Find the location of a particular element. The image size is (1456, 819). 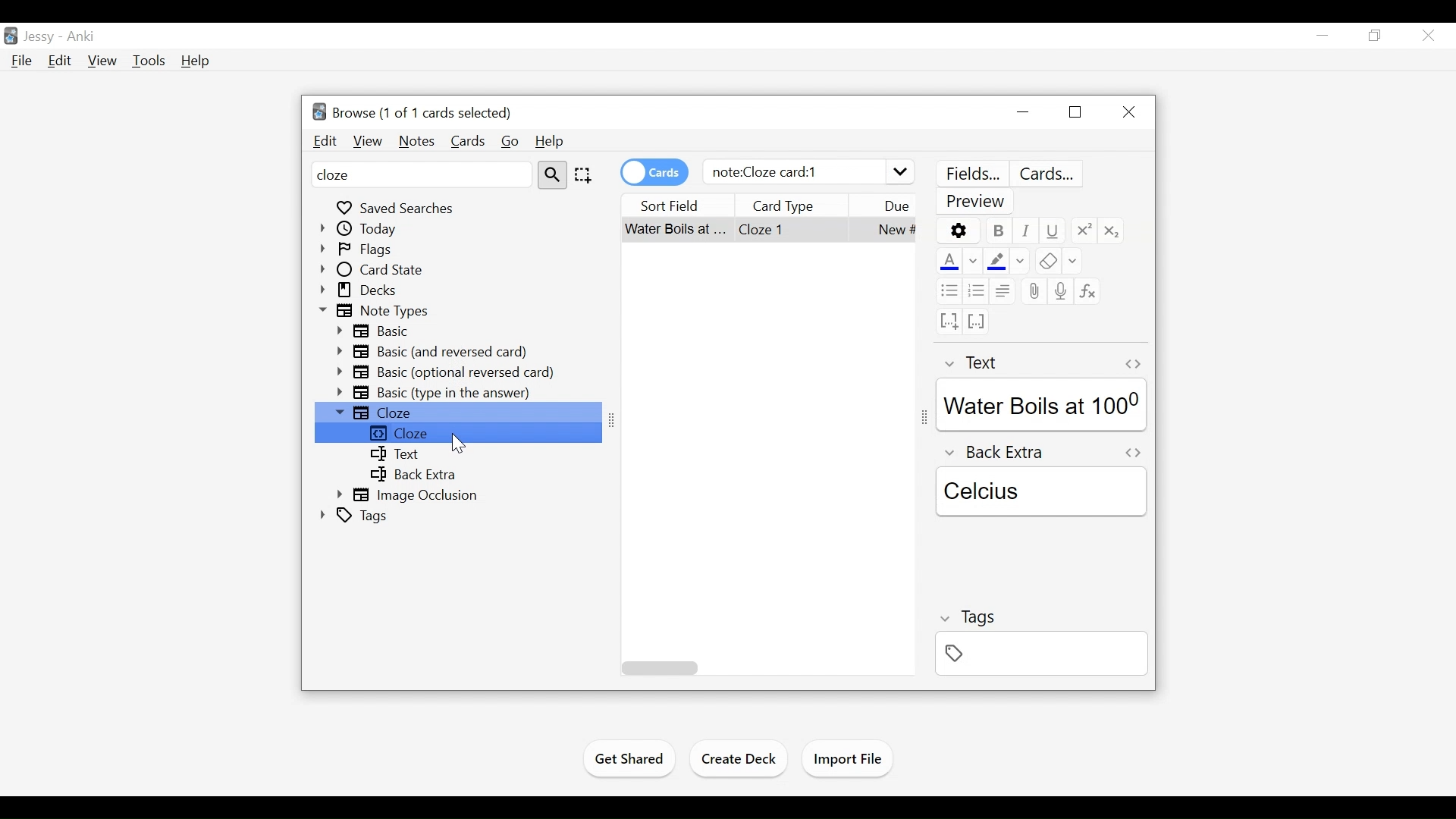

Preview is located at coordinates (975, 203).